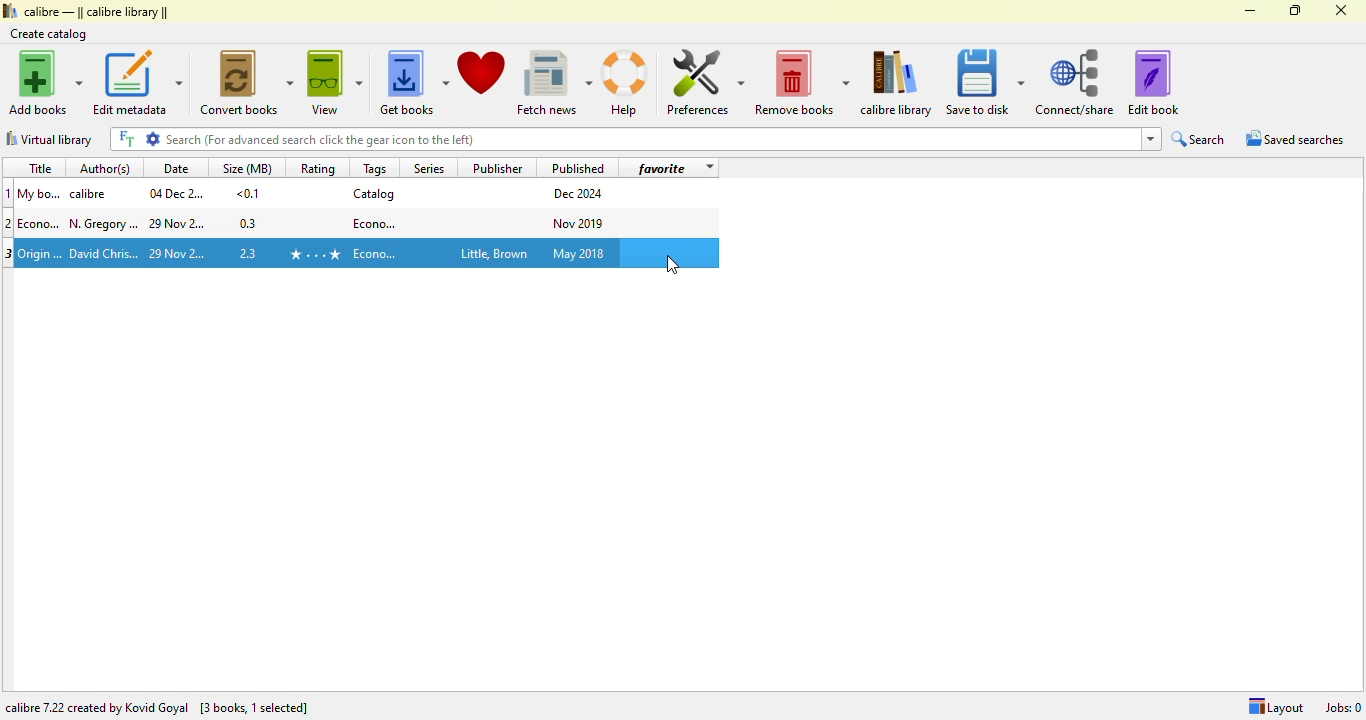 The height and width of the screenshot is (720, 1366). I want to click on title, so click(39, 168).